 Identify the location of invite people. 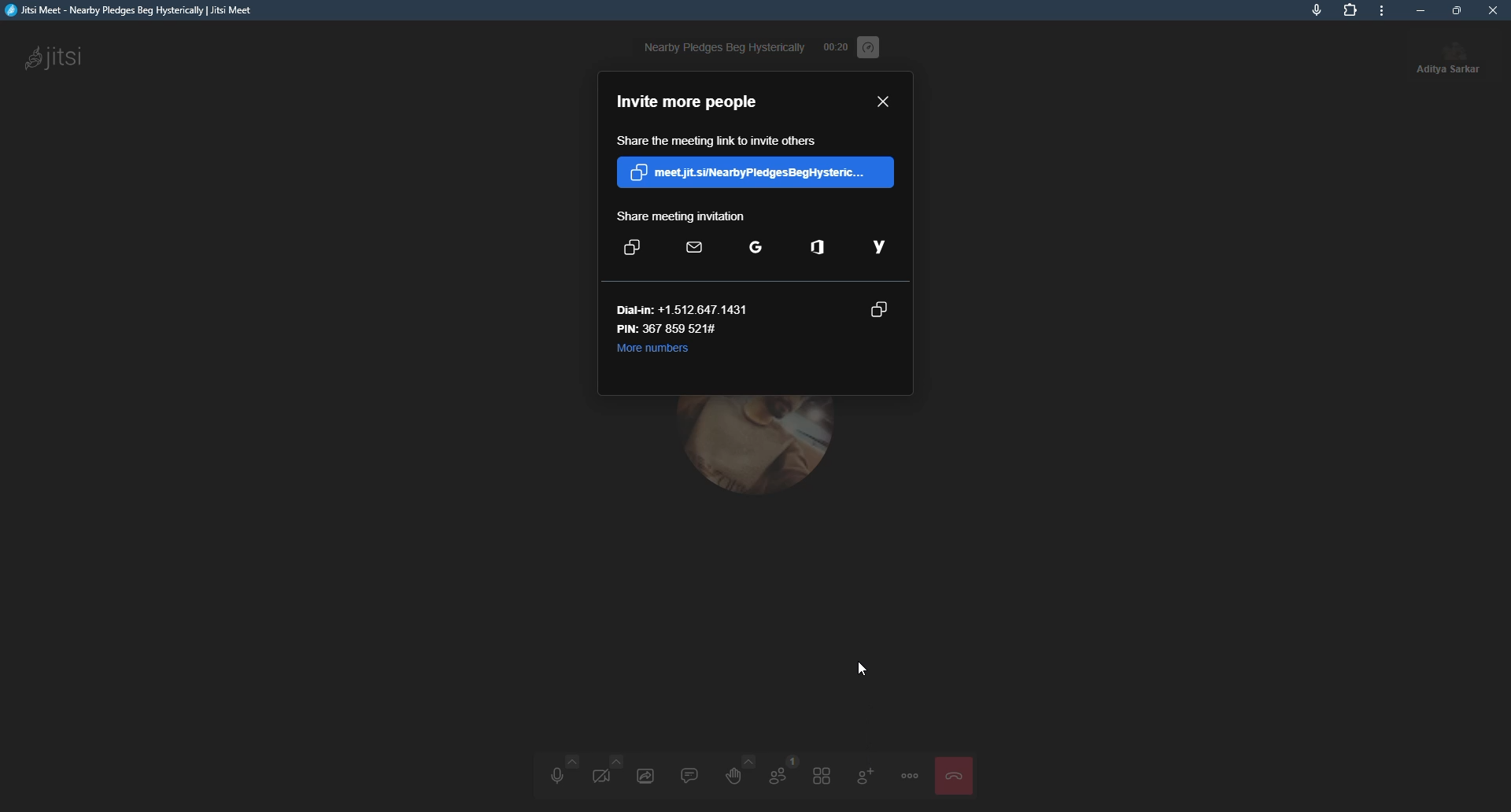
(865, 778).